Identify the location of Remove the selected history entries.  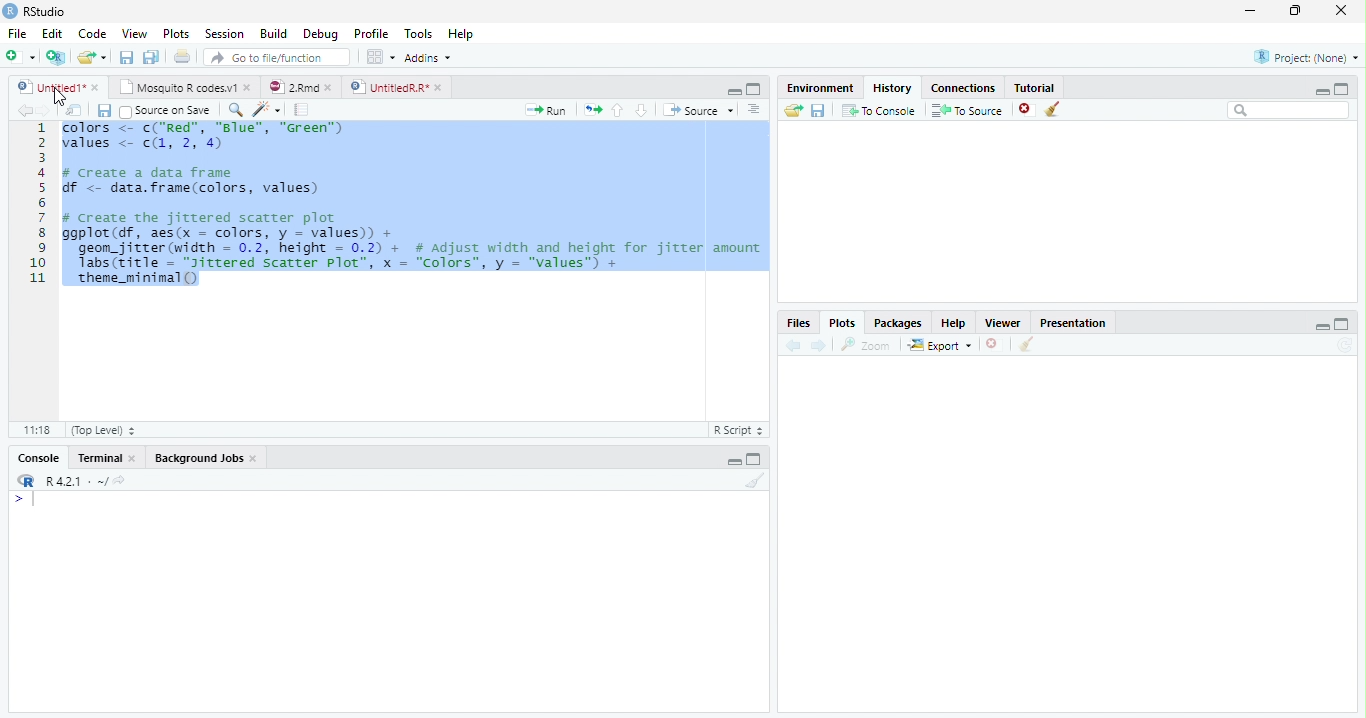
(1027, 110).